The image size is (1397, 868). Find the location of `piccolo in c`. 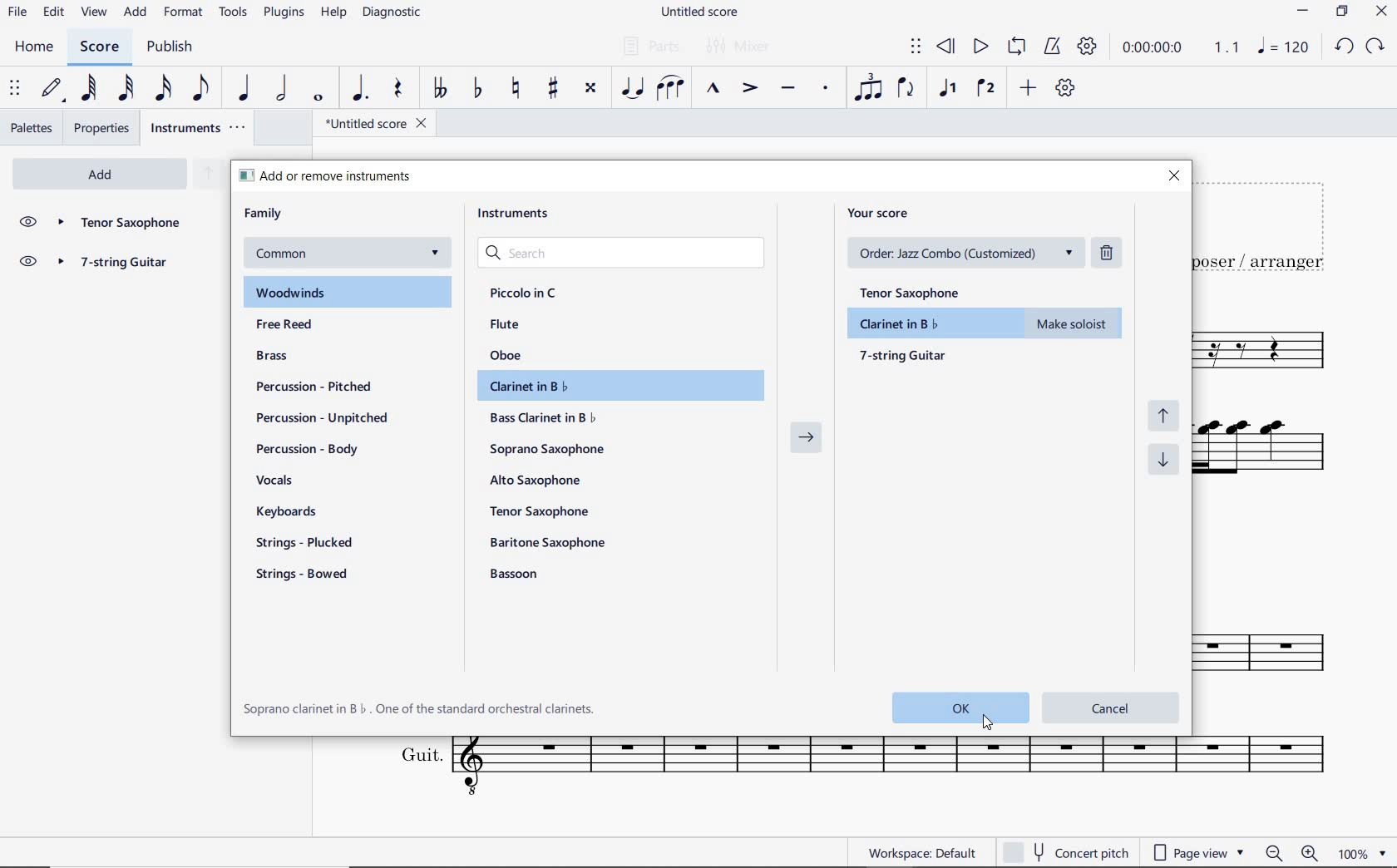

piccolo in c is located at coordinates (525, 293).